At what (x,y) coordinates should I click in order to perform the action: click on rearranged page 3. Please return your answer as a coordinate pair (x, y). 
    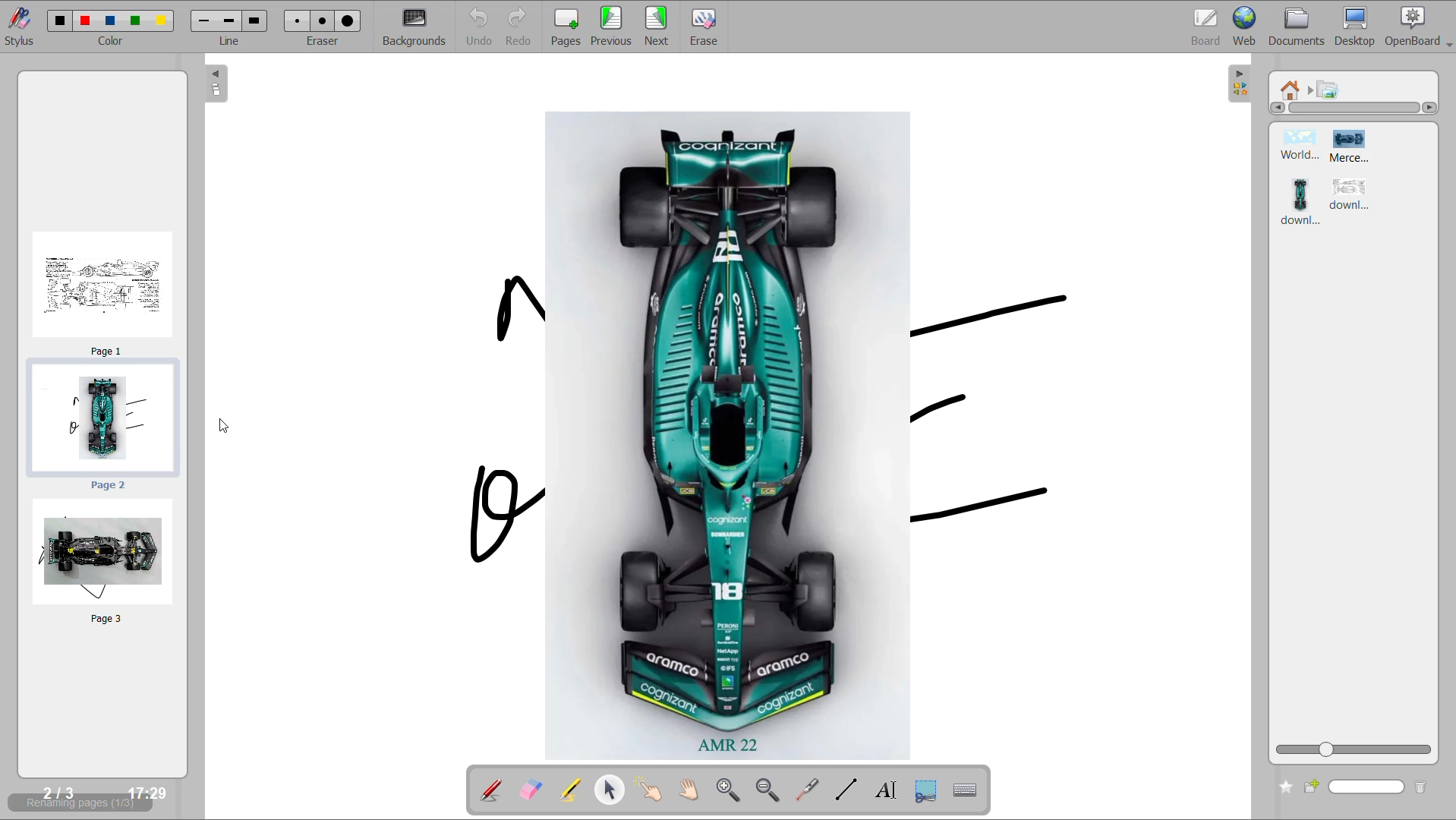
    Looking at the image, I should click on (104, 562).